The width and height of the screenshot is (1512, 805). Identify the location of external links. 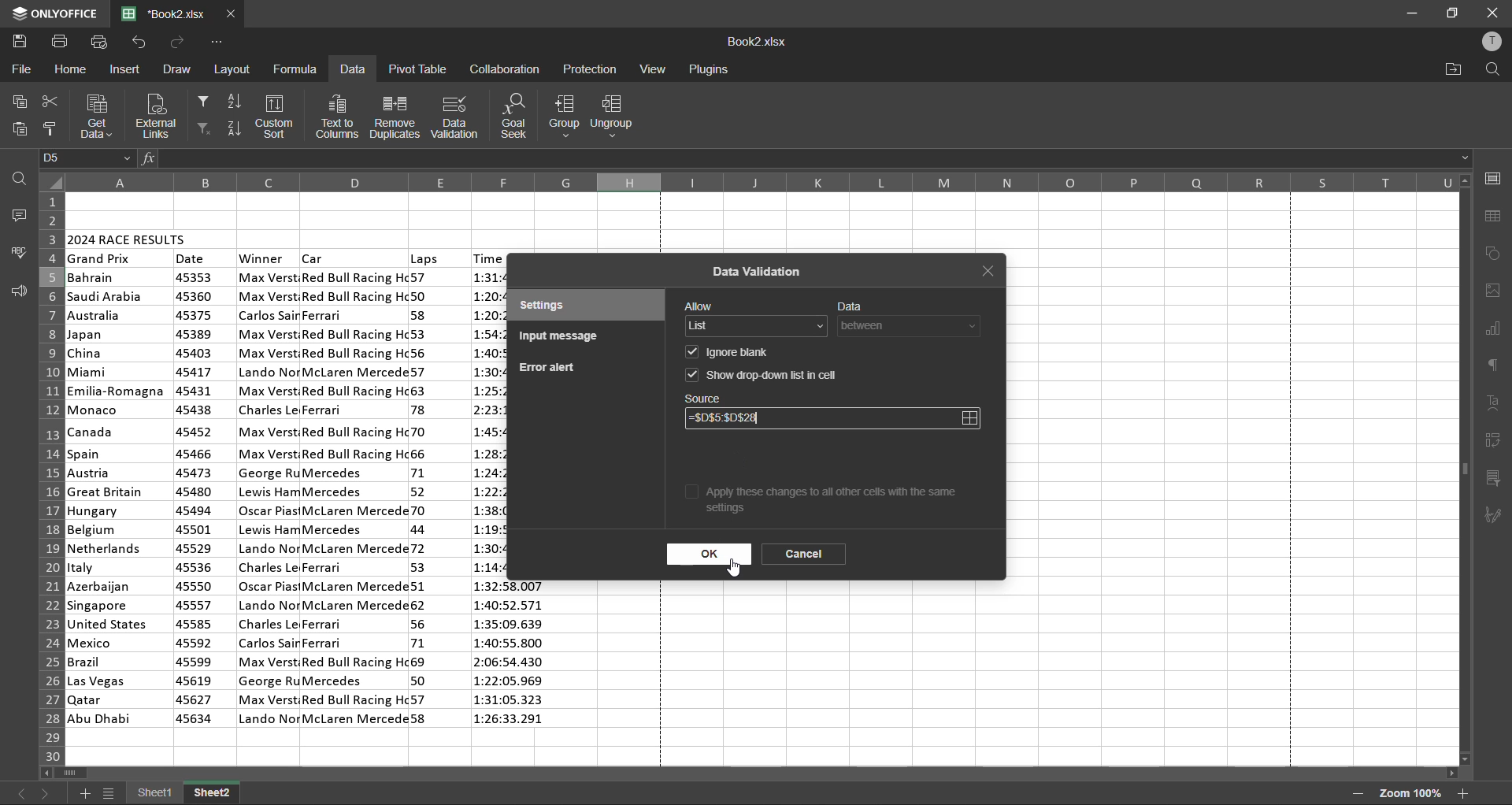
(160, 115).